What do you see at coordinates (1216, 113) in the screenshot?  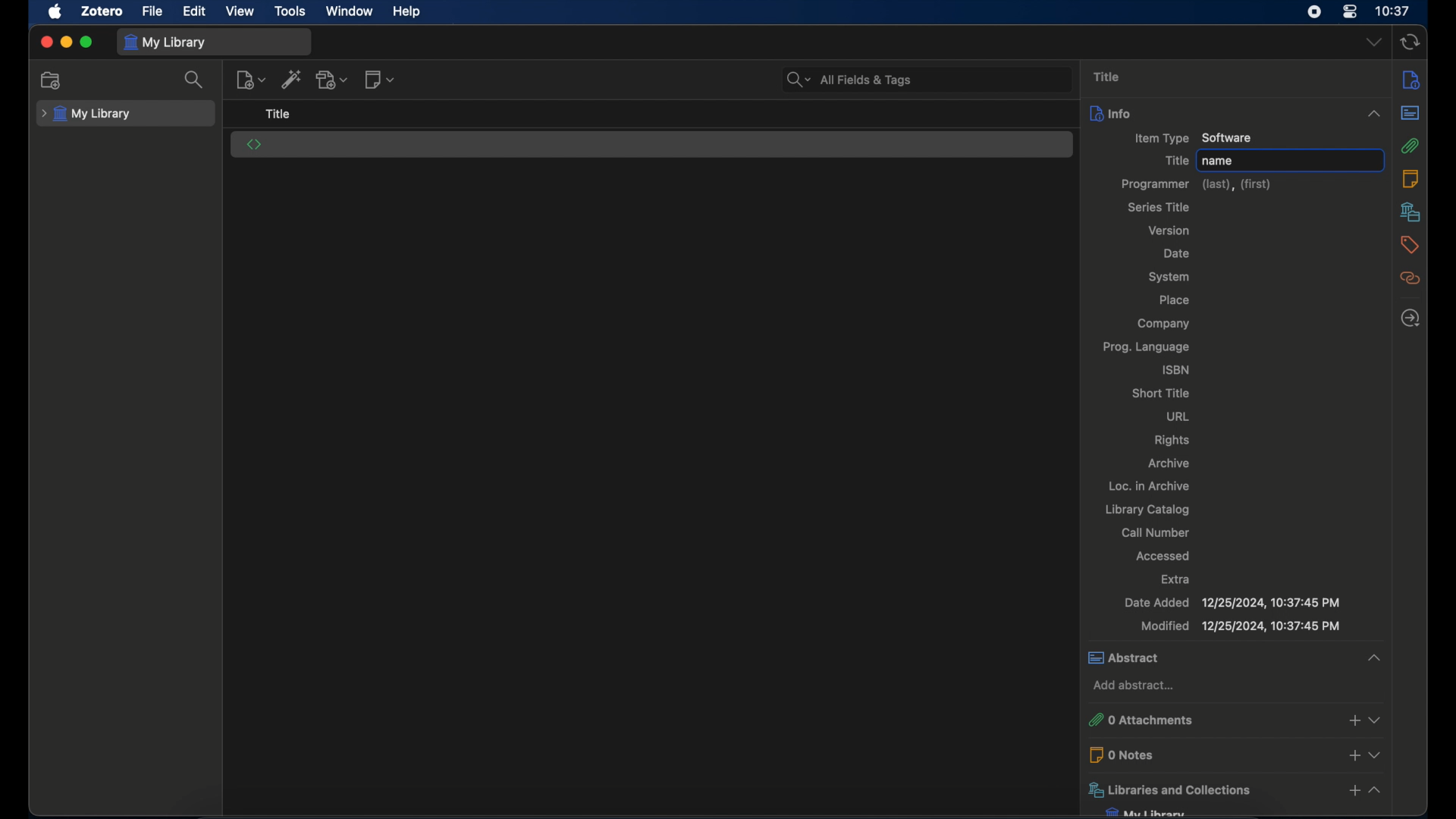 I see `info` at bounding box center [1216, 113].